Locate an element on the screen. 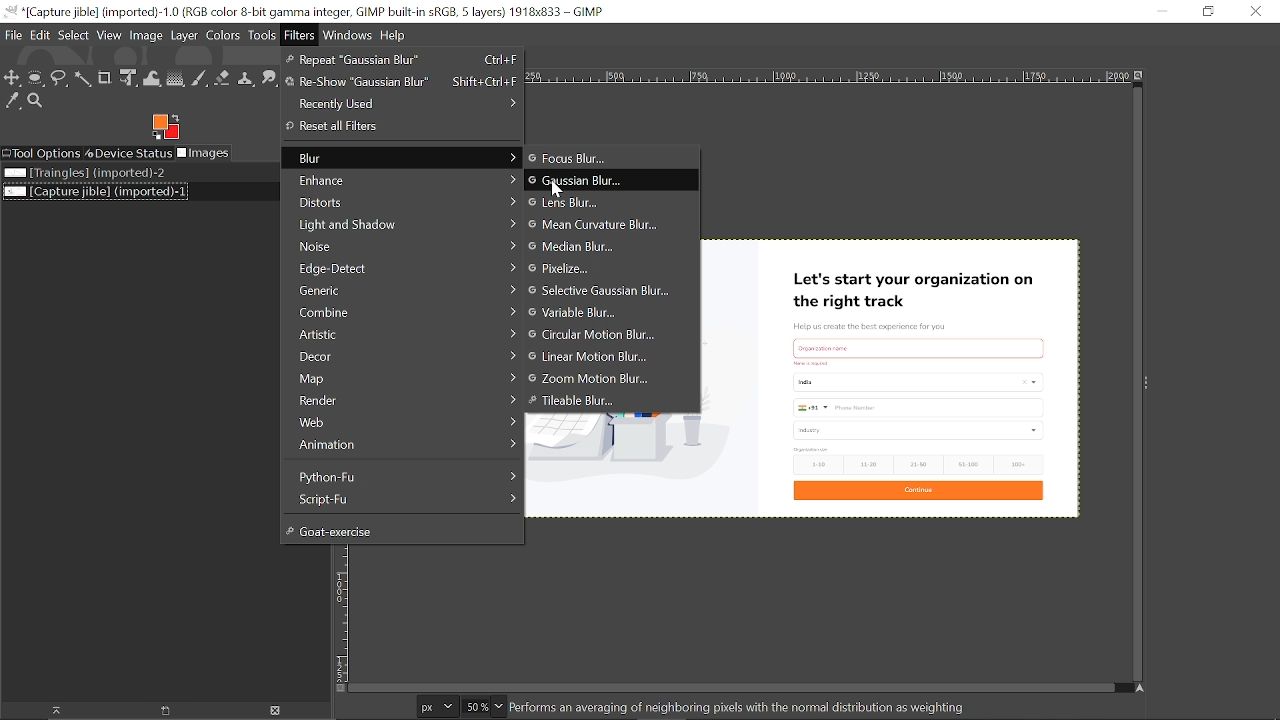  Cursor is located at coordinates (557, 189).